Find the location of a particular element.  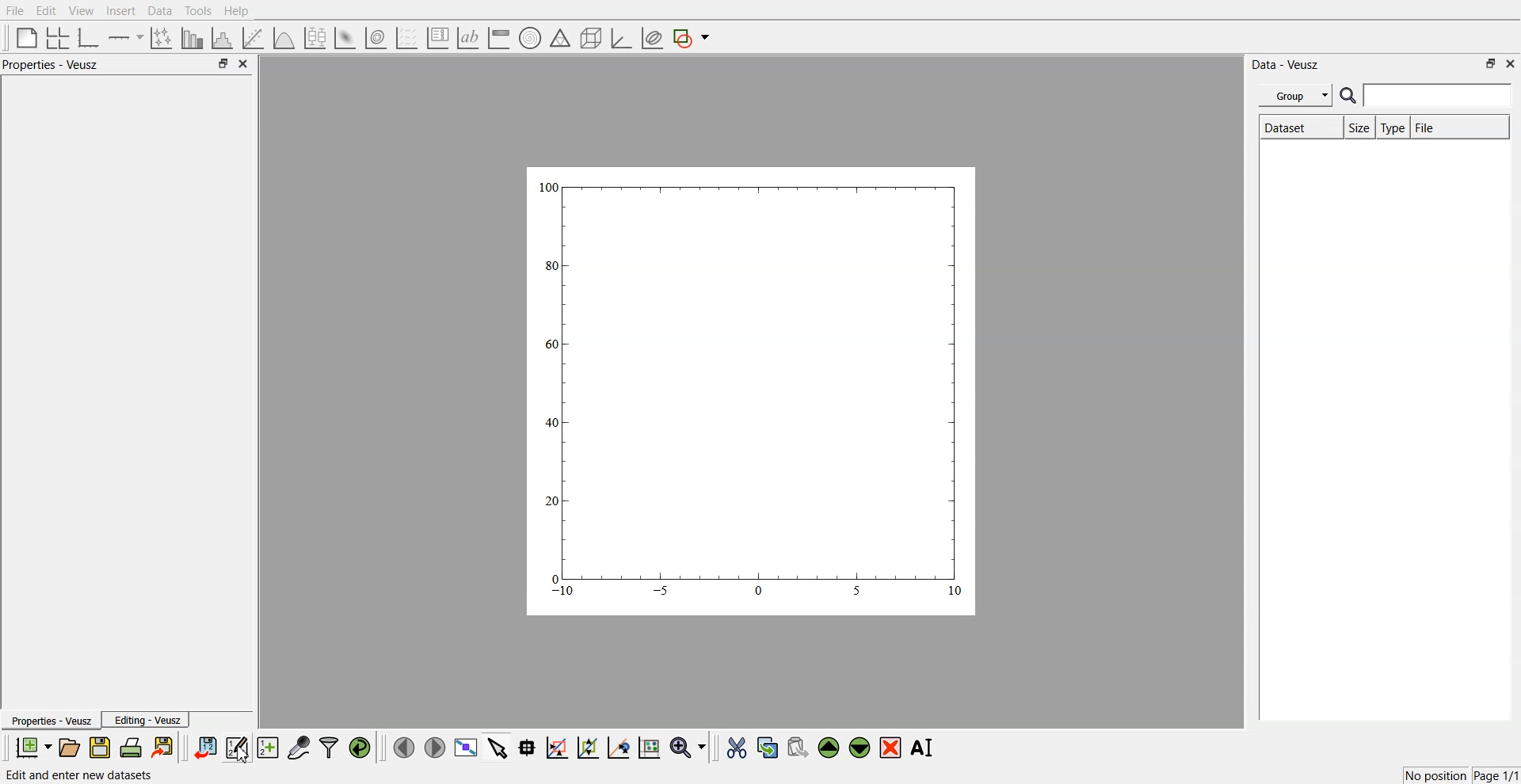

histogram is located at coordinates (225, 37).